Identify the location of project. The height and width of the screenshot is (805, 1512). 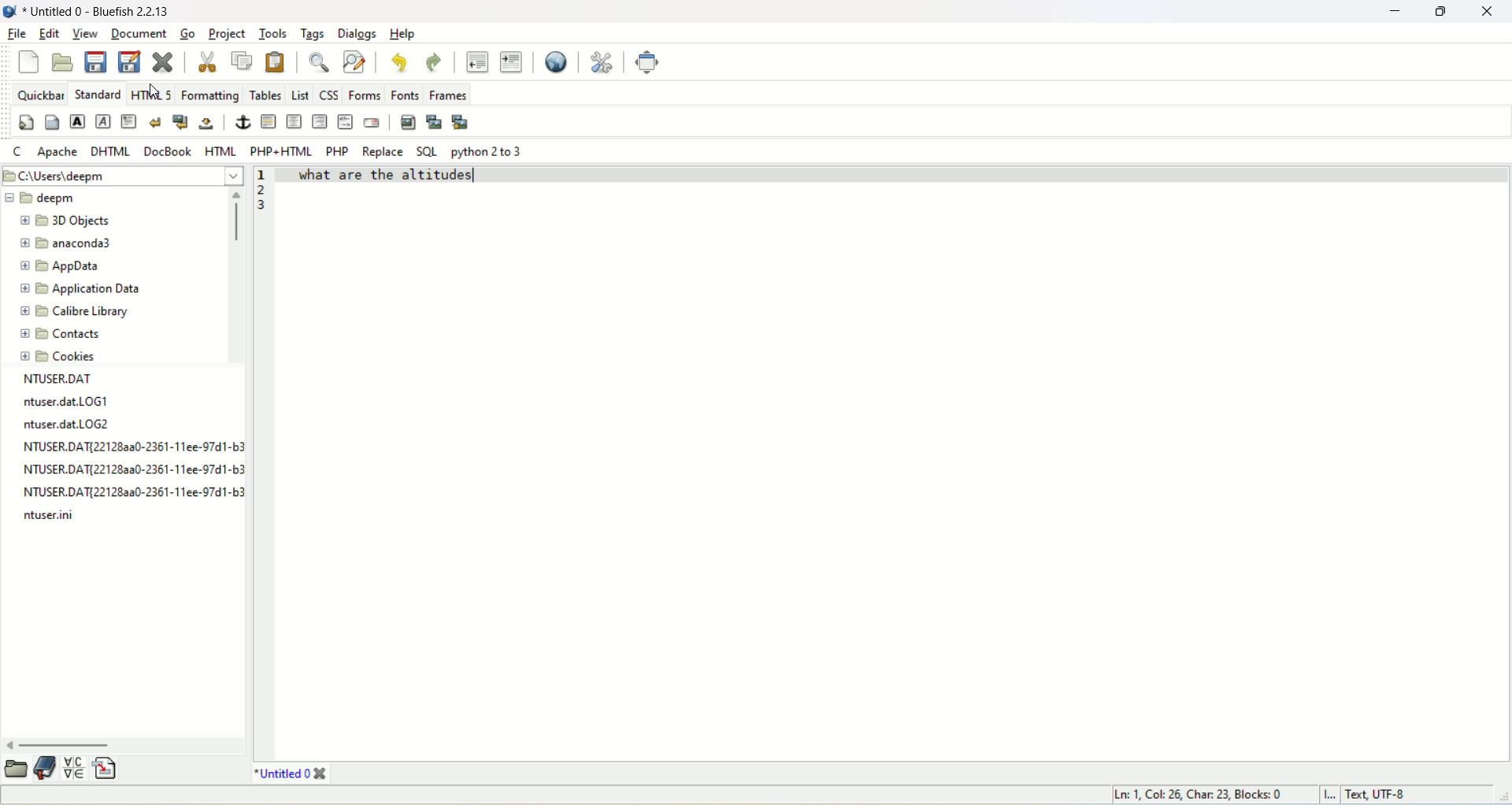
(225, 32).